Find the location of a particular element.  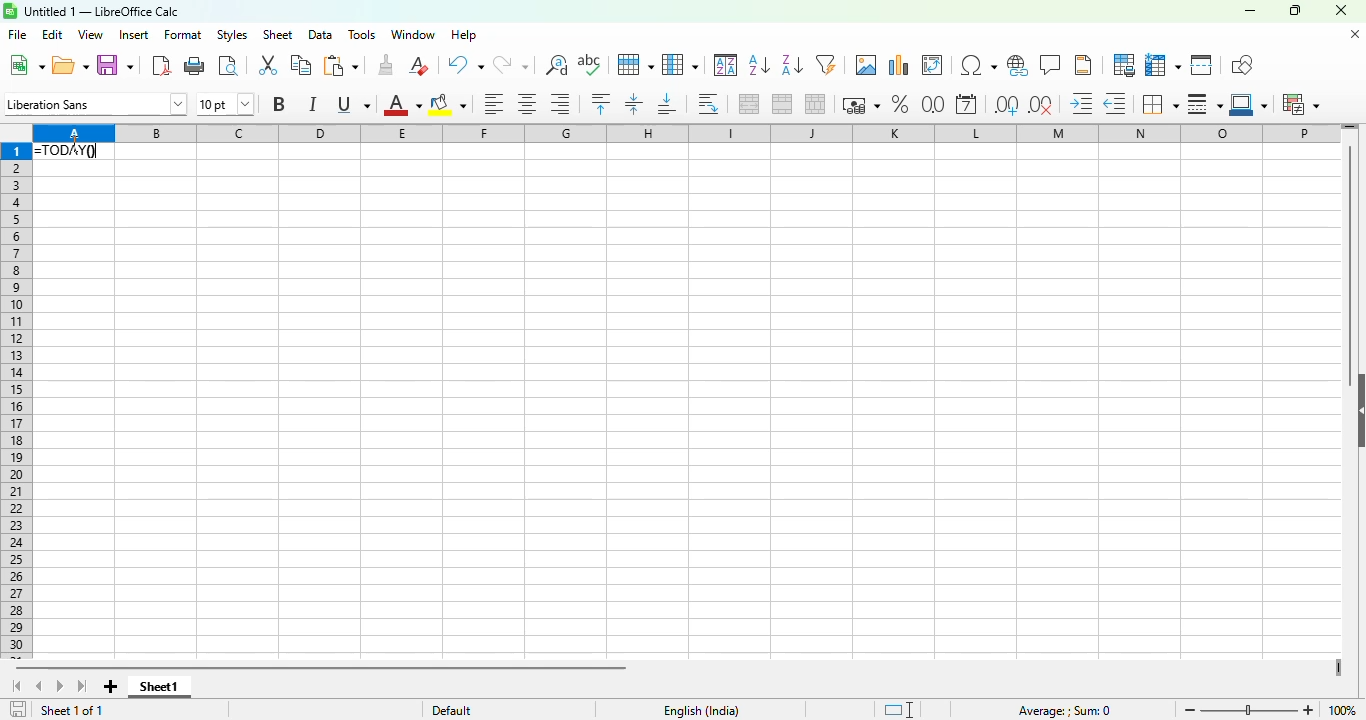

default is located at coordinates (452, 709).